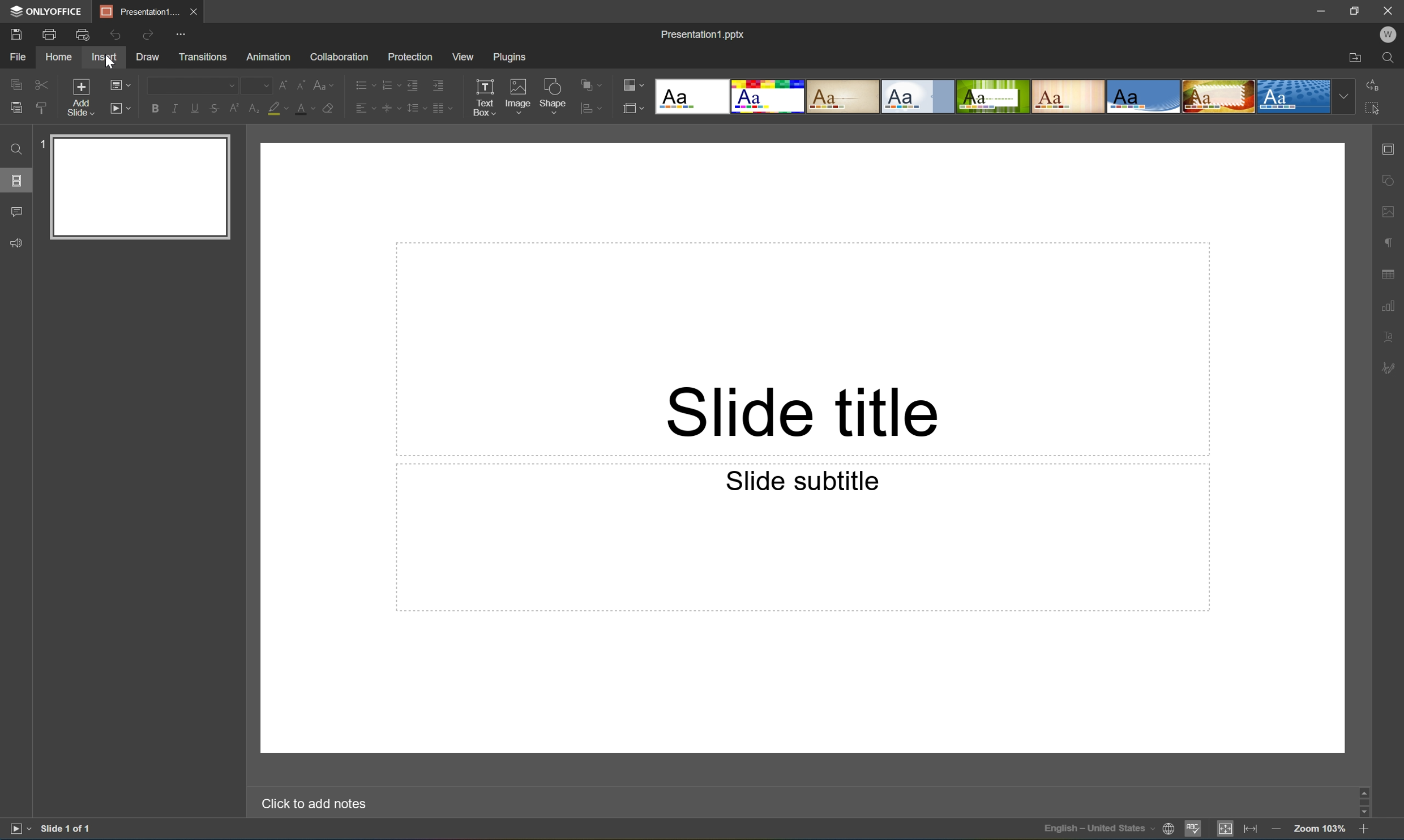 The width and height of the screenshot is (1404, 840). Describe the element at coordinates (992, 97) in the screenshot. I see `Type of slides` at that location.